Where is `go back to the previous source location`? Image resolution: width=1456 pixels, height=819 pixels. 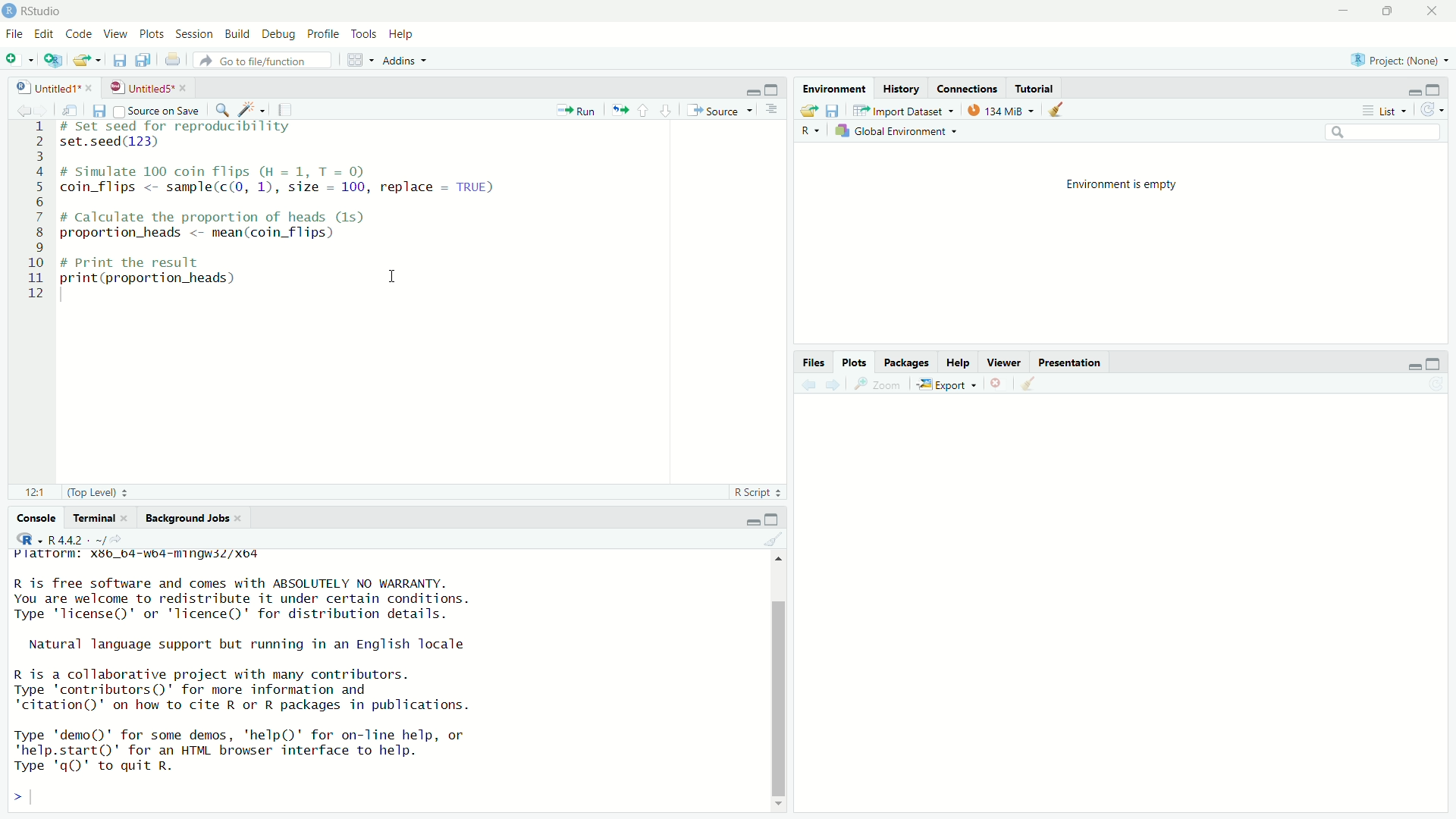 go back to the previous source location is located at coordinates (15, 108).